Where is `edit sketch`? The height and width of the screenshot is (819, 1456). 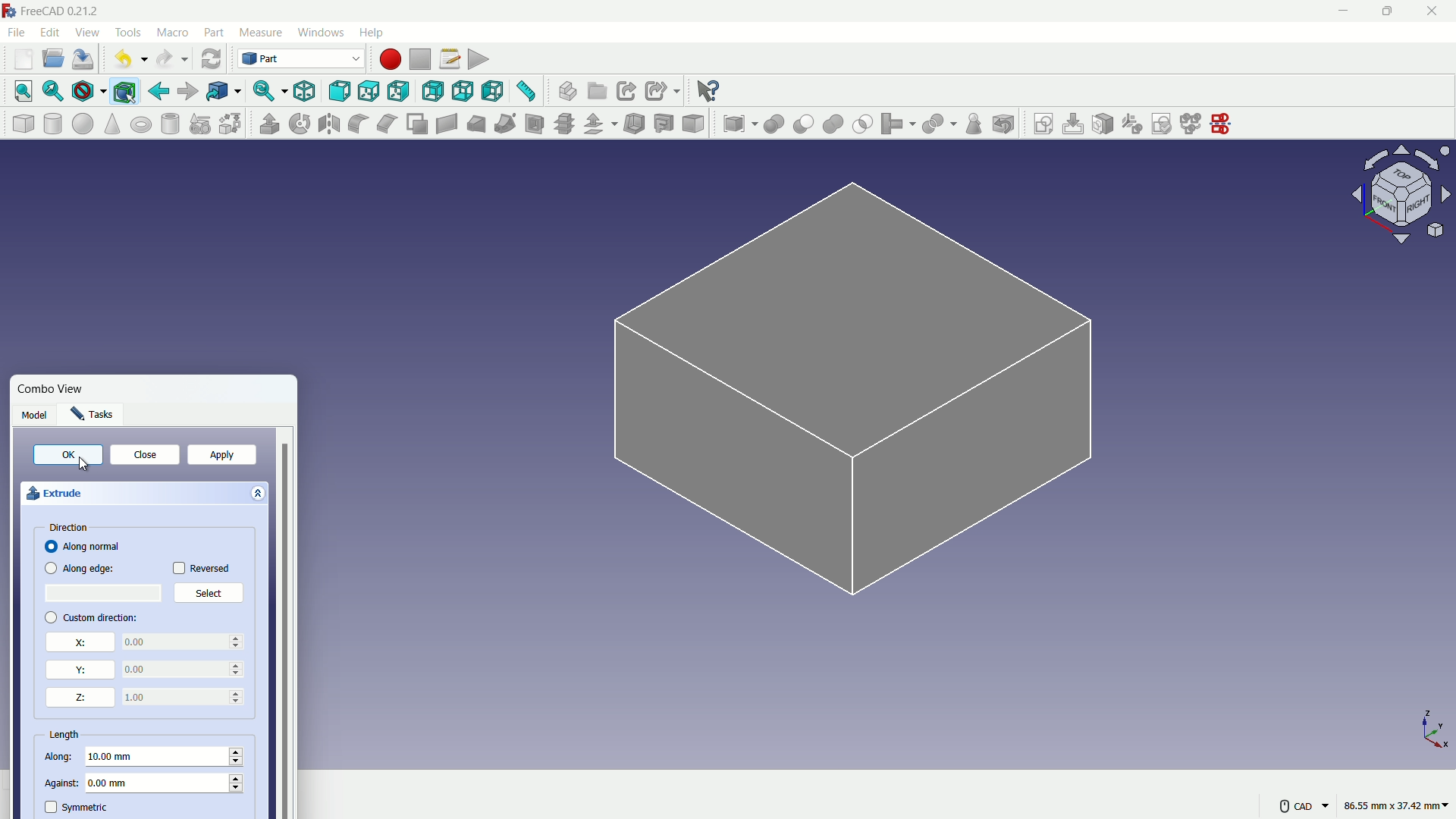 edit sketch is located at coordinates (1072, 124).